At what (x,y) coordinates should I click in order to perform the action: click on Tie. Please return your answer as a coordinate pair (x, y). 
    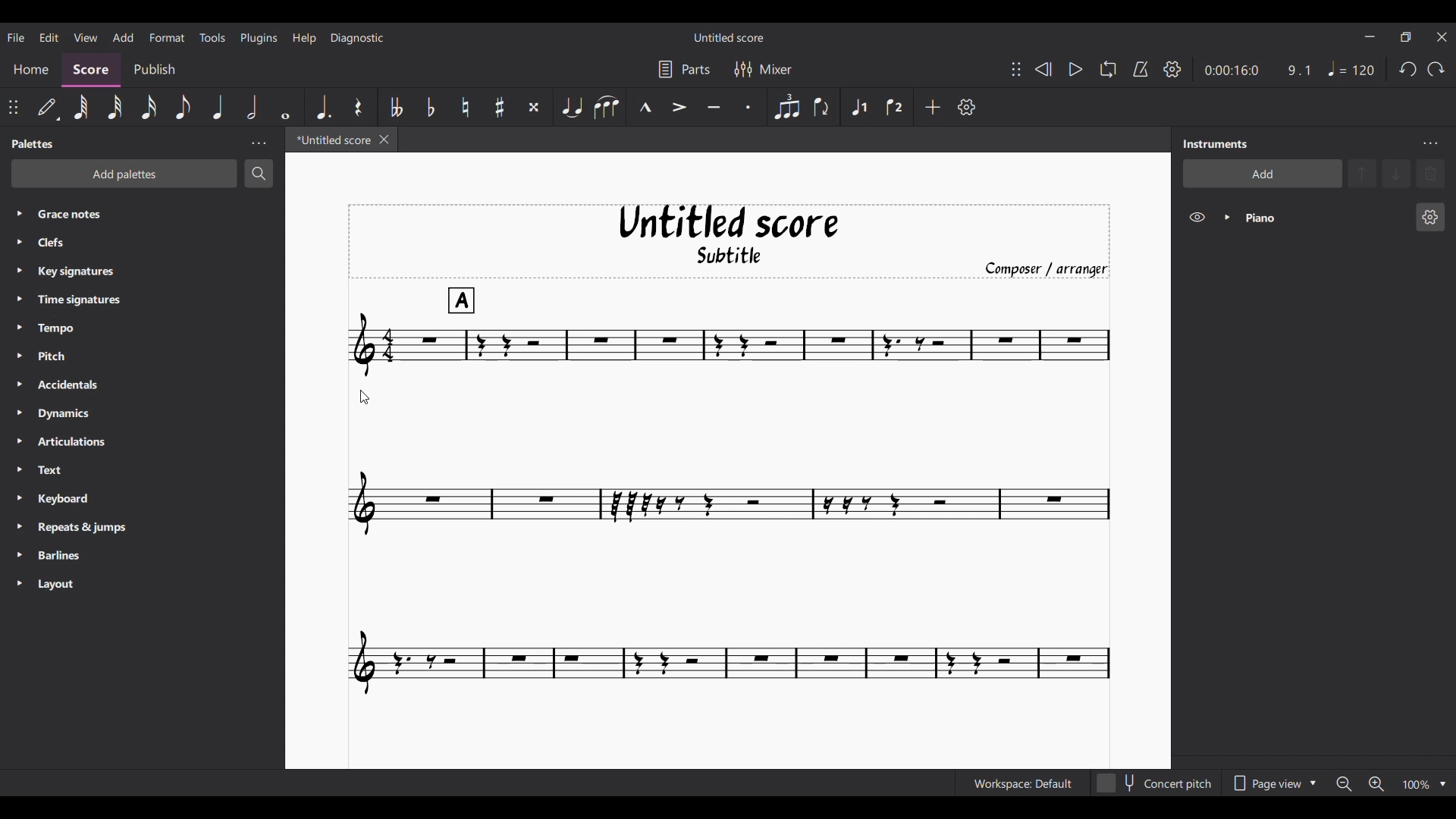
    Looking at the image, I should click on (571, 106).